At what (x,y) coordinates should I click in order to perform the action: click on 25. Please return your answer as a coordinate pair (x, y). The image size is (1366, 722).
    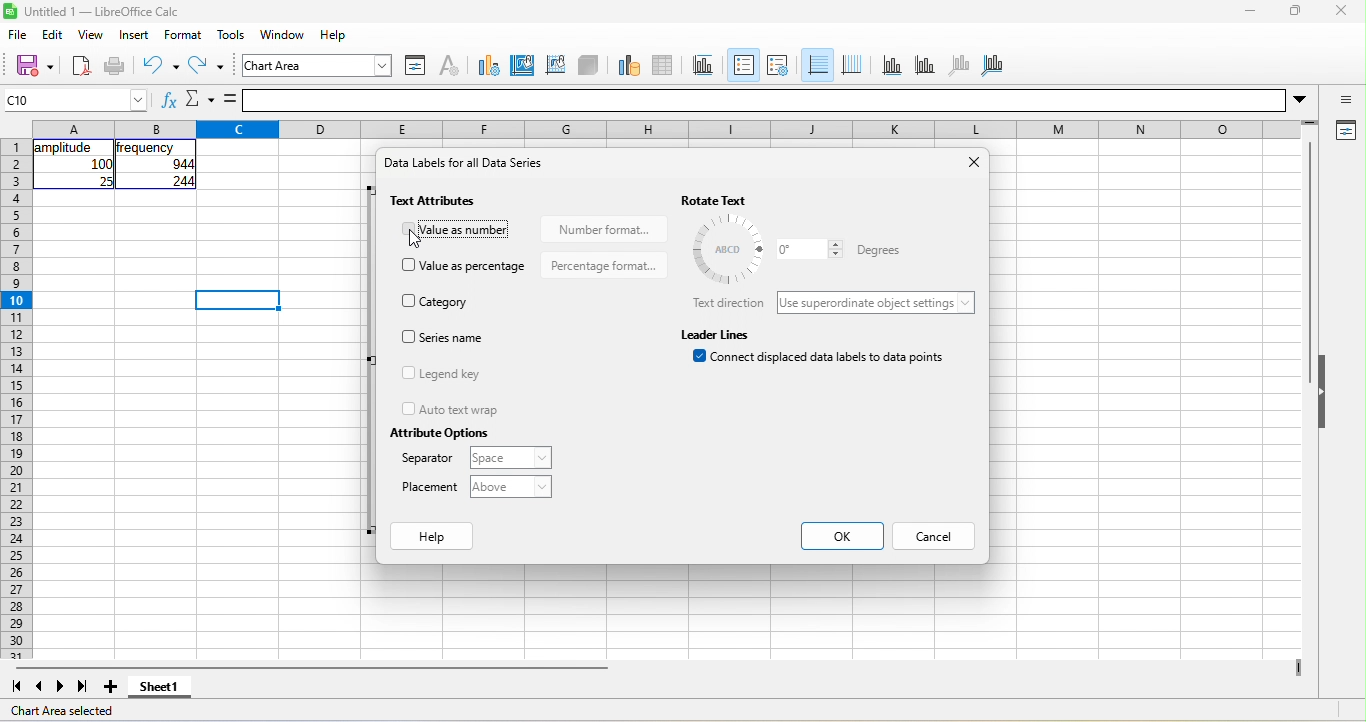
    Looking at the image, I should click on (104, 181).